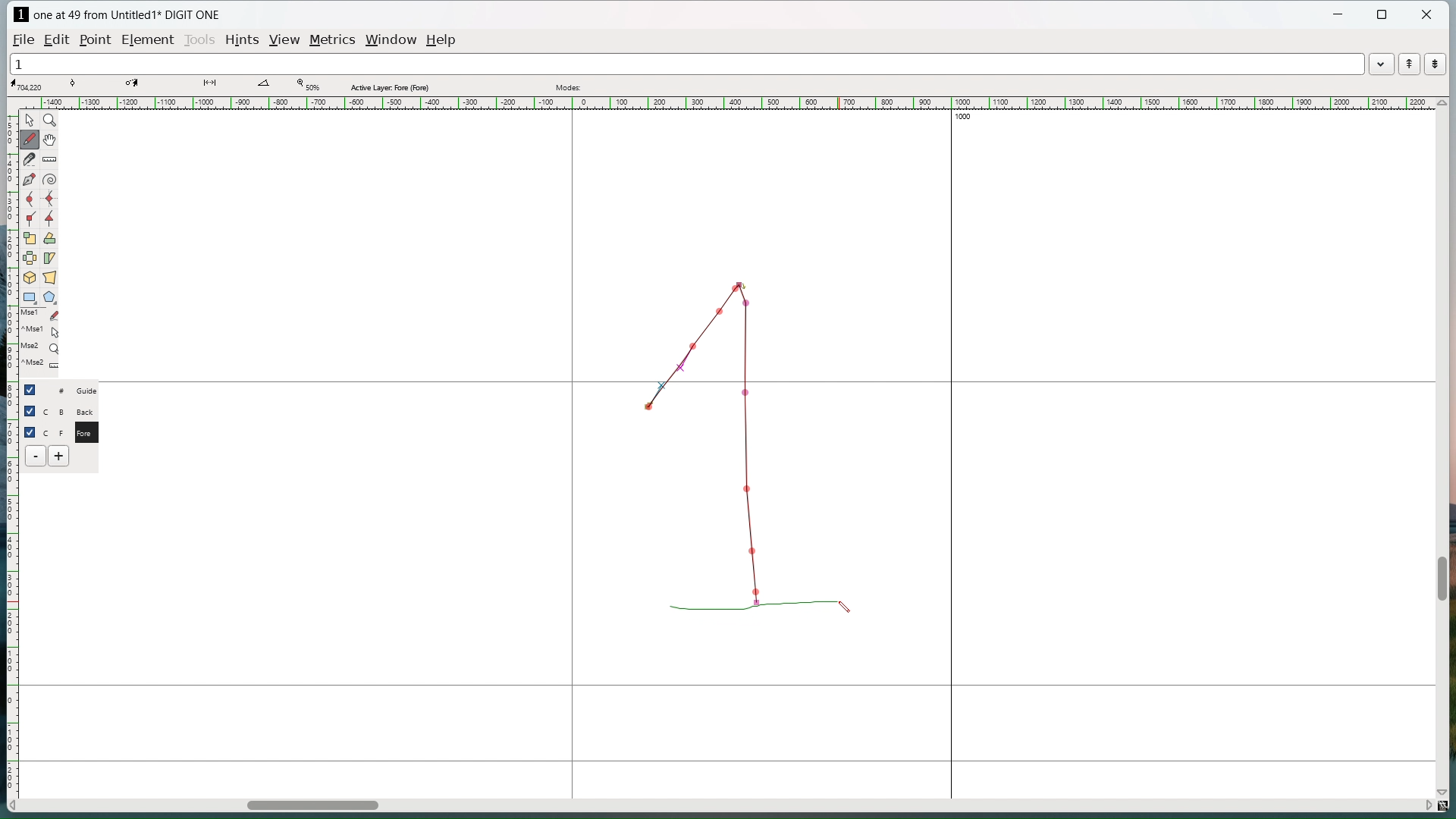  Describe the element at coordinates (30, 297) in the screenshot. I see `rectangle/ellipse` at that location.